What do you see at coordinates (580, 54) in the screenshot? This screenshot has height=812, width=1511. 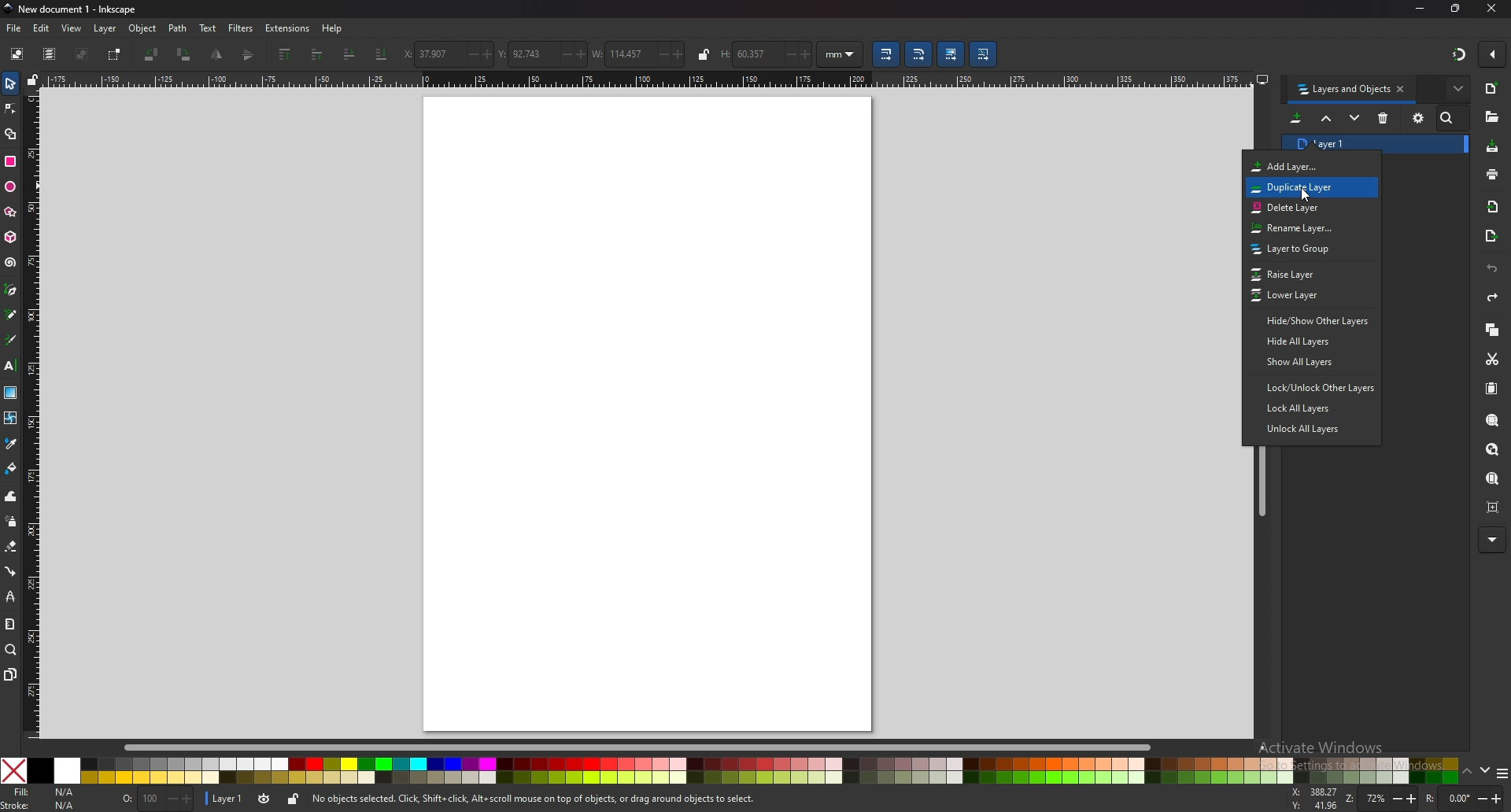 I see `increase` at bounding box center [580, 54].